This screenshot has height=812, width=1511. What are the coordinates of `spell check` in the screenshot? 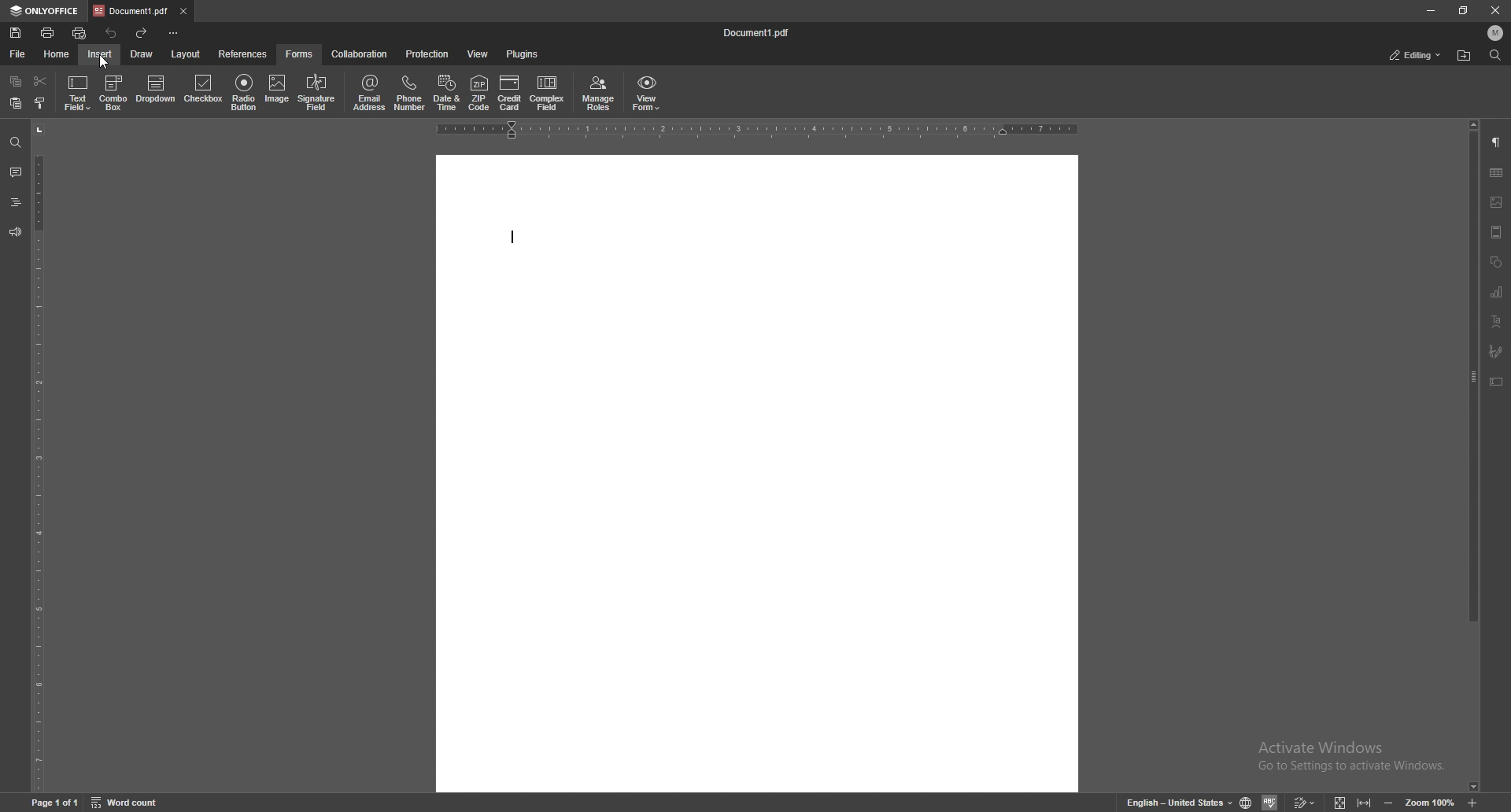 It's located at (1269, 802).